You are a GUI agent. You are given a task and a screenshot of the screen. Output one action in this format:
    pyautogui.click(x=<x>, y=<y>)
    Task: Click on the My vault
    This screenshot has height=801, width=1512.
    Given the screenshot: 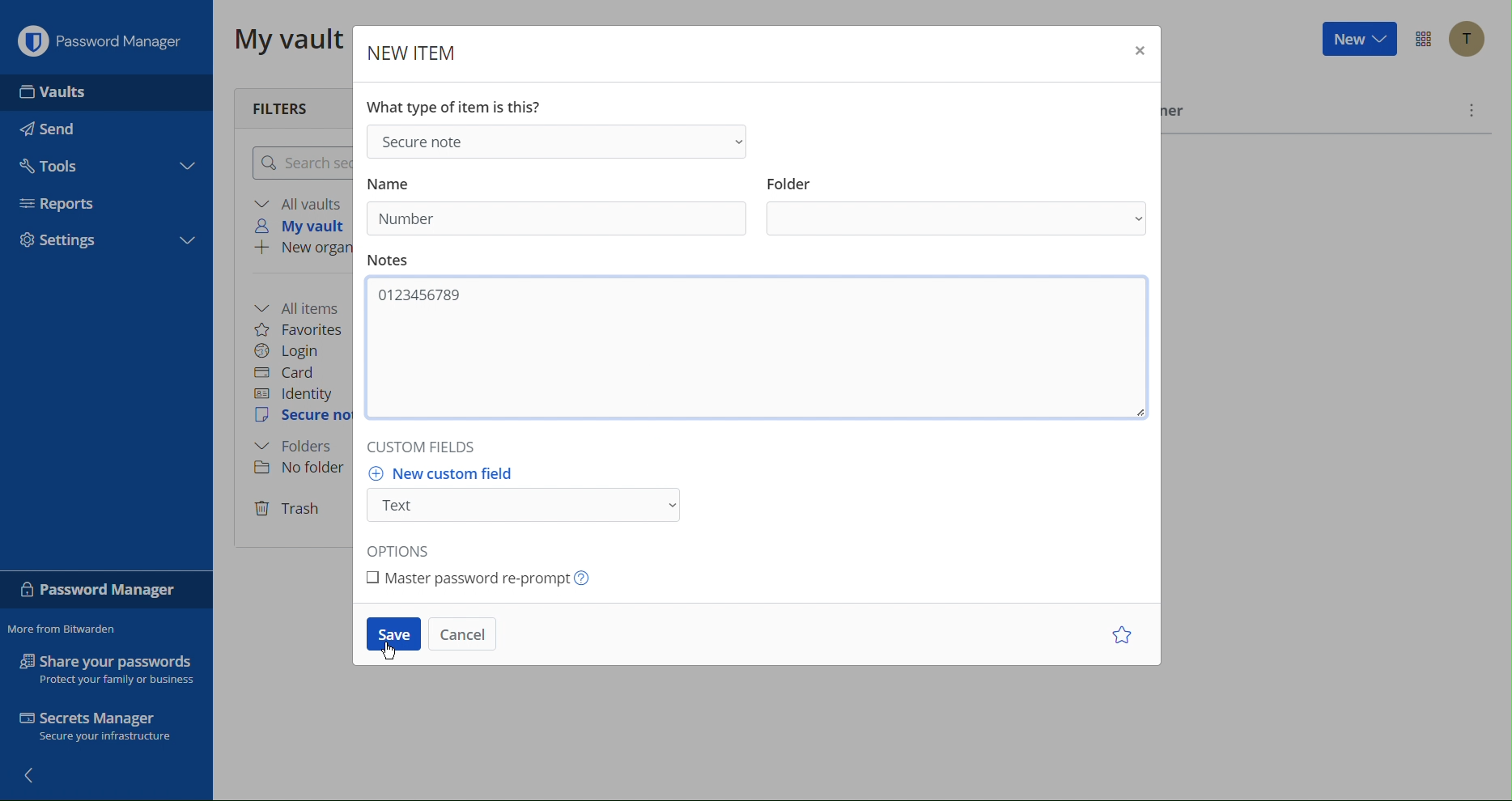 What is the action you would take?
    pyautogui.click(x=283, y=40)
    